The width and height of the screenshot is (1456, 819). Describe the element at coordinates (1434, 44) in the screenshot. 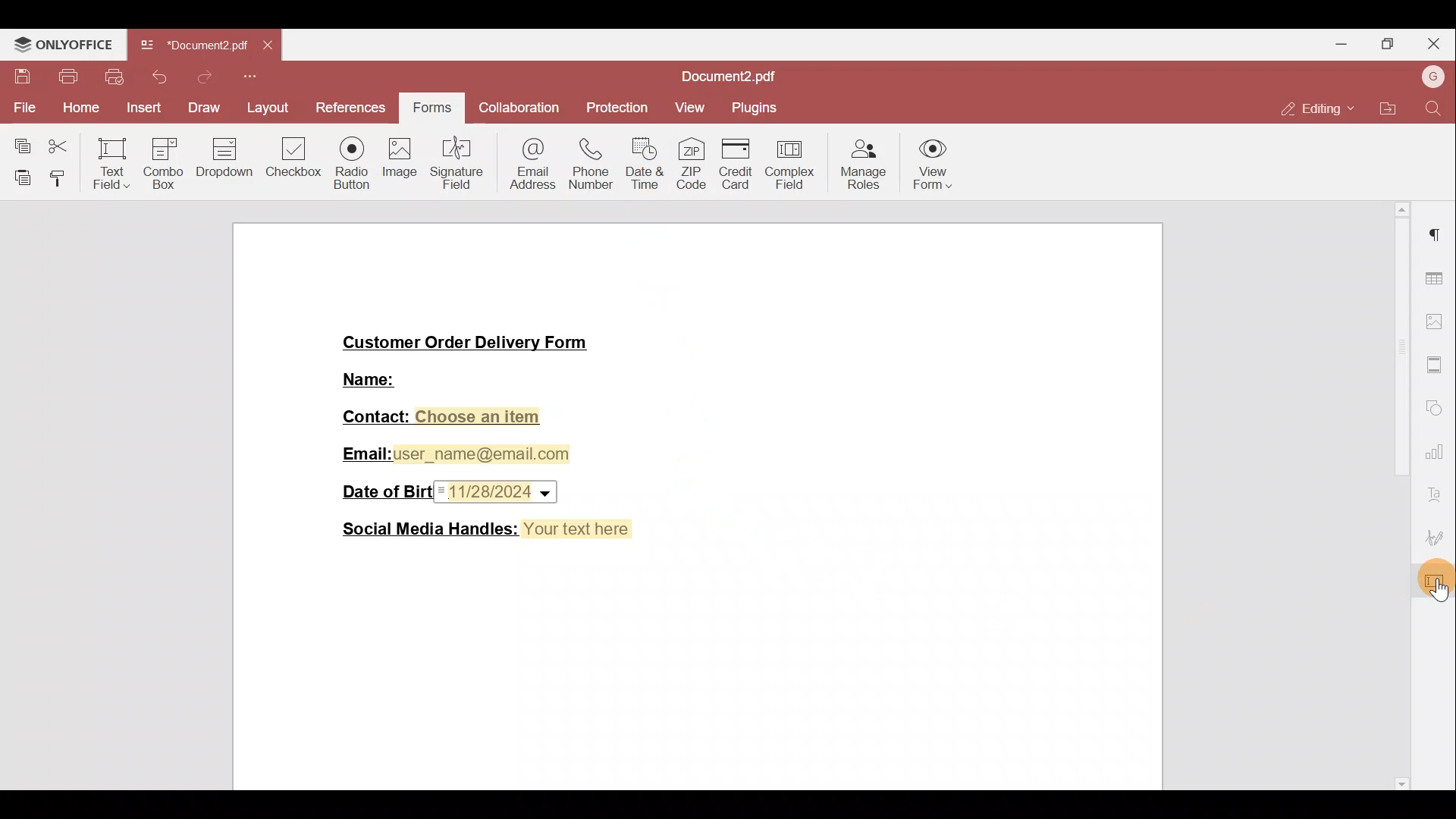

I see `Close` at that location.